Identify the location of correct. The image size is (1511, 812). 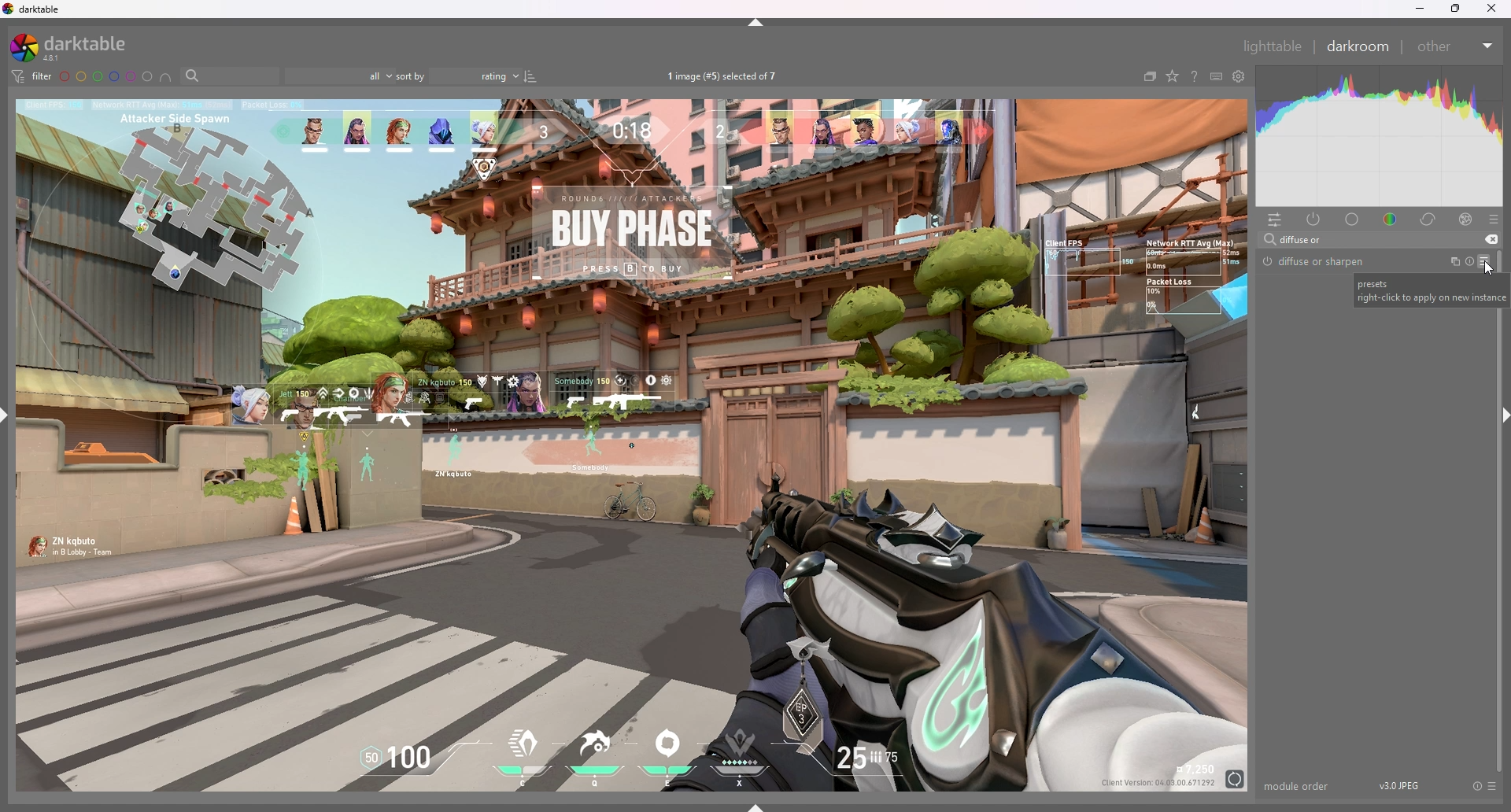
(1429, 219).